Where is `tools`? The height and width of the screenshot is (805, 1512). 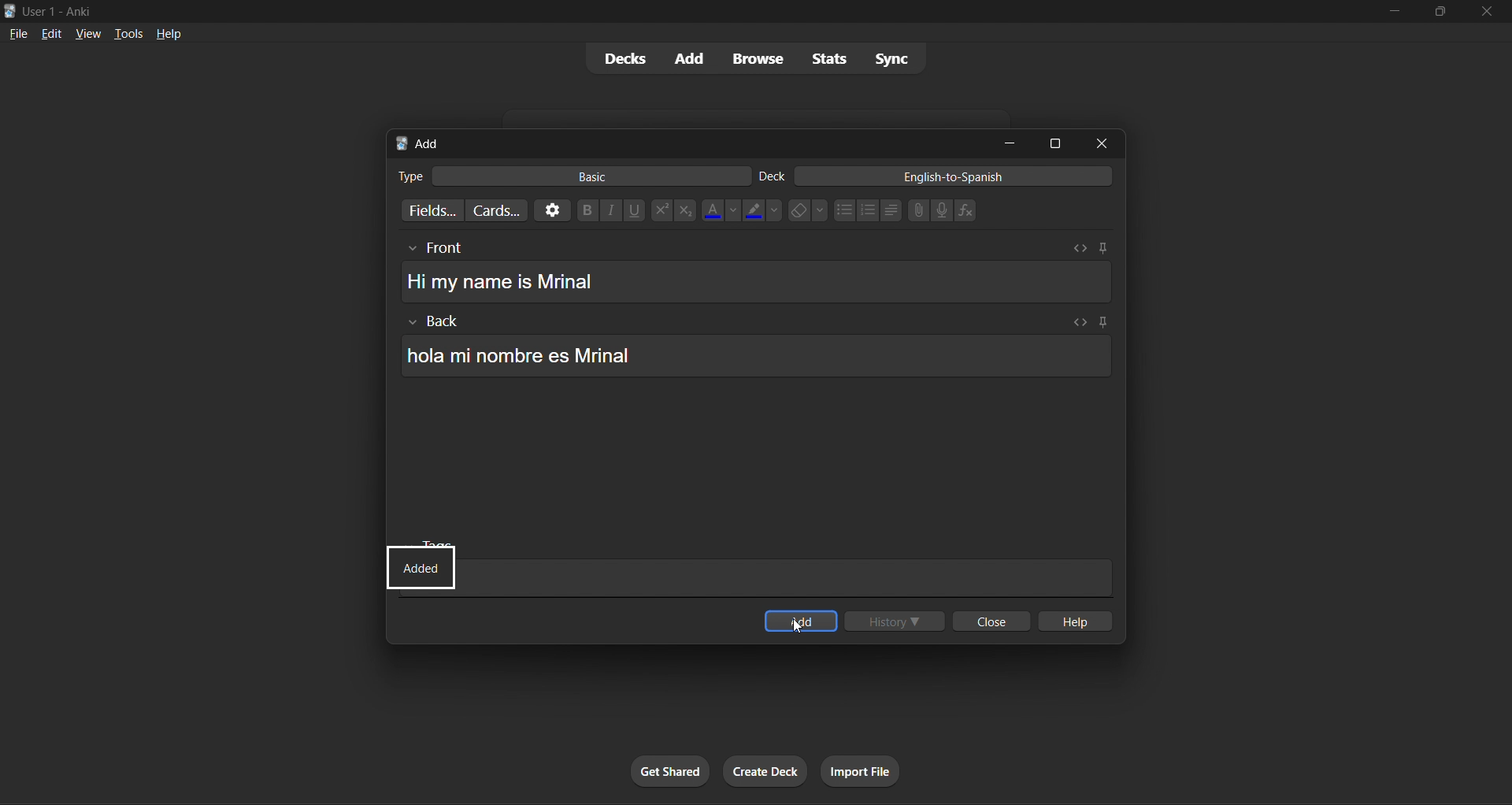 tools is located at coordinates (120, 33).